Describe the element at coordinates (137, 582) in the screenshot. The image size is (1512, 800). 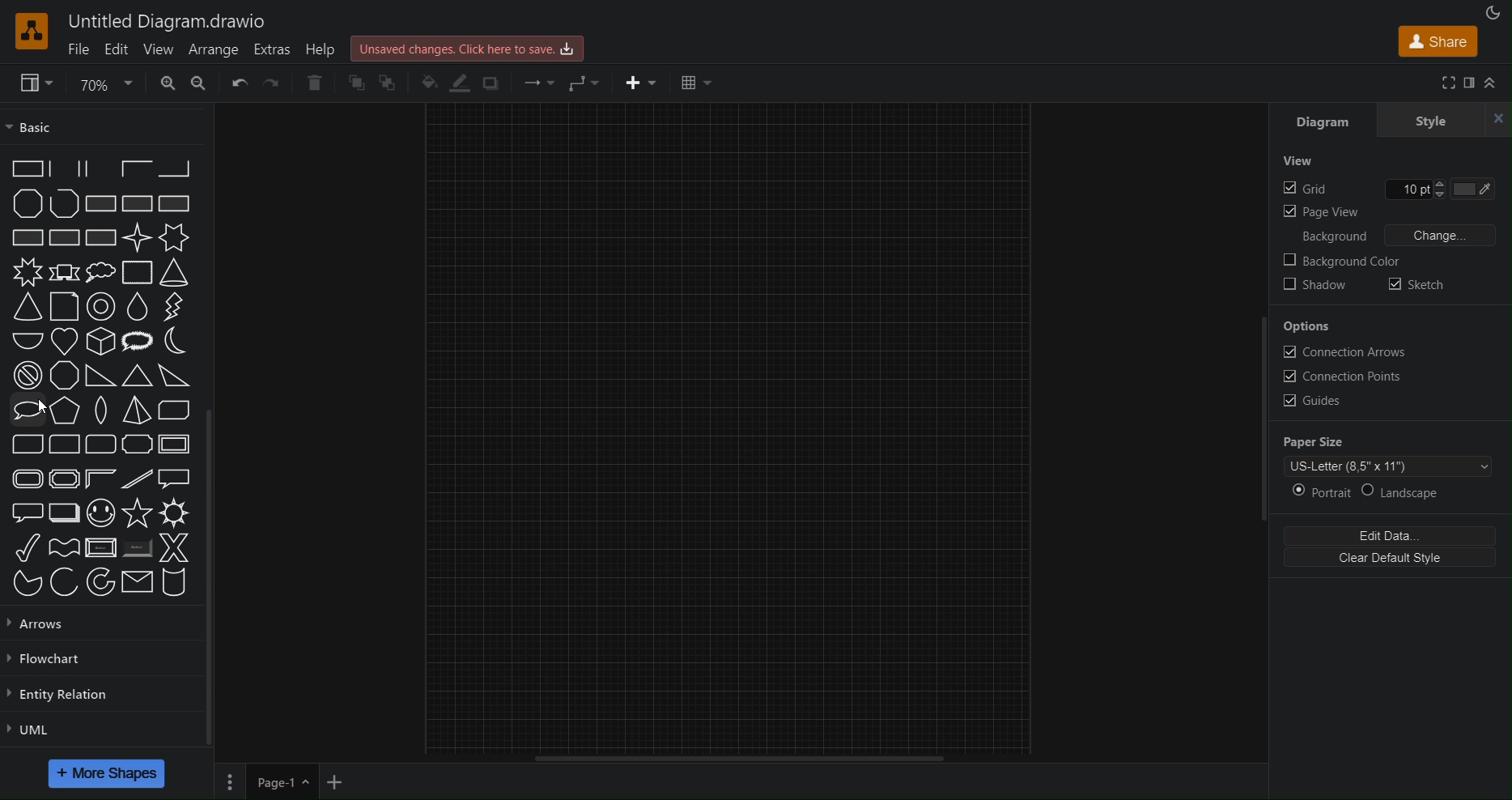
I see `Message` at that location.